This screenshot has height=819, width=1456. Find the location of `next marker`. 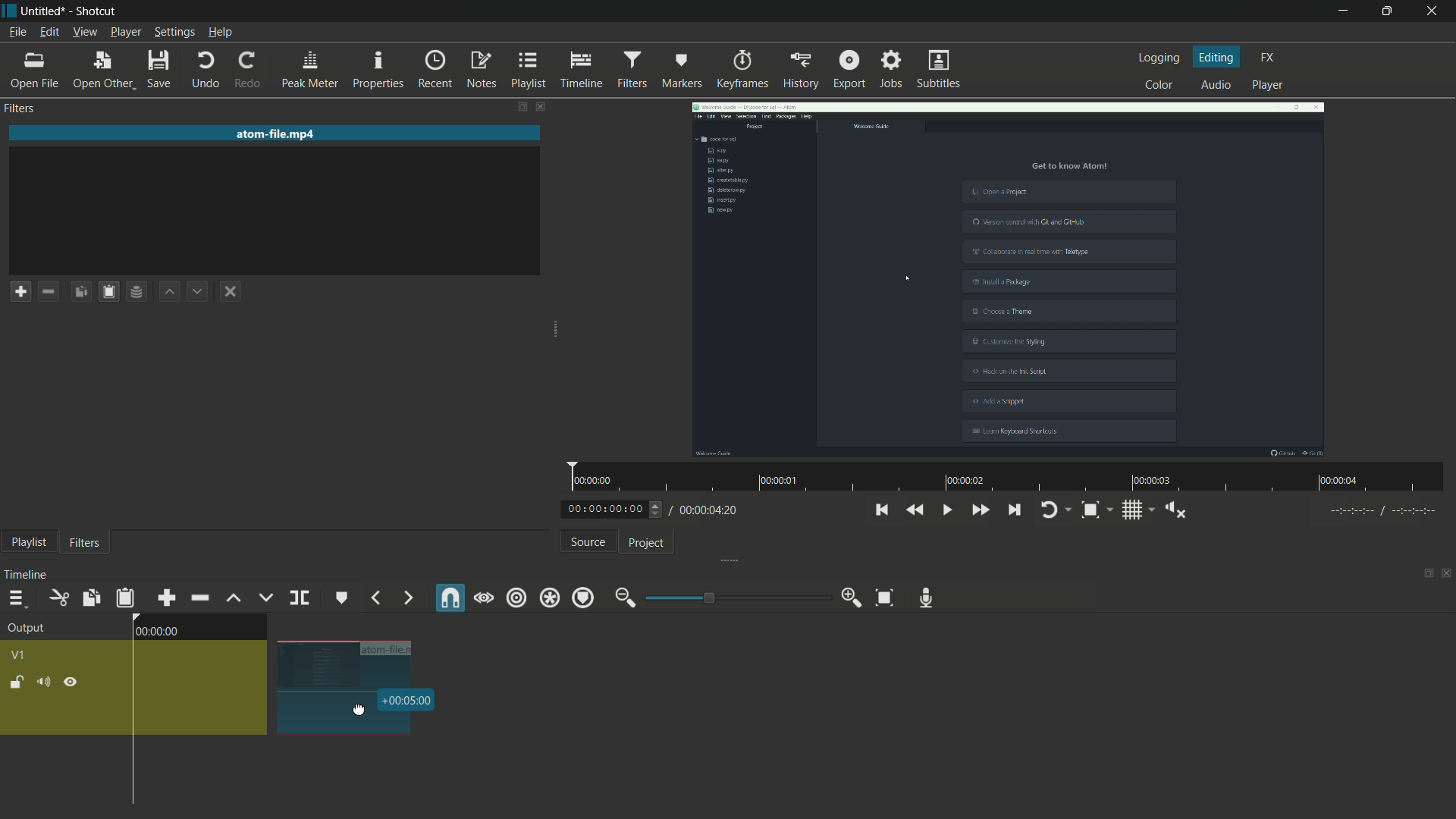

next marker is located at coordinates (406, 598).